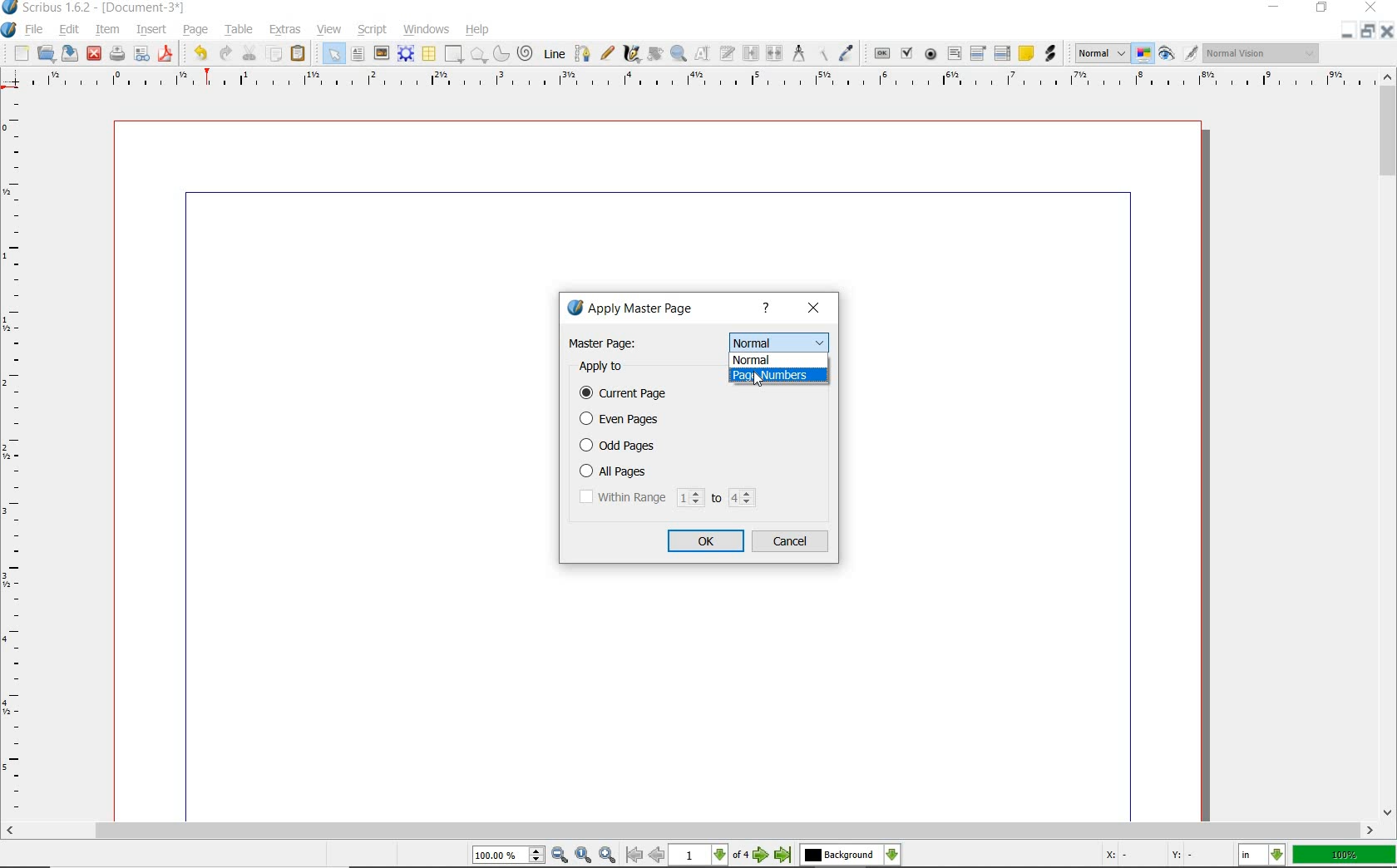 The image size is (1397, 868). What do you see at coordinates (1263, 53) in the screenshot?
I see `visual appearance of the display: Normal Vision` at bounding box center [1263, 53].